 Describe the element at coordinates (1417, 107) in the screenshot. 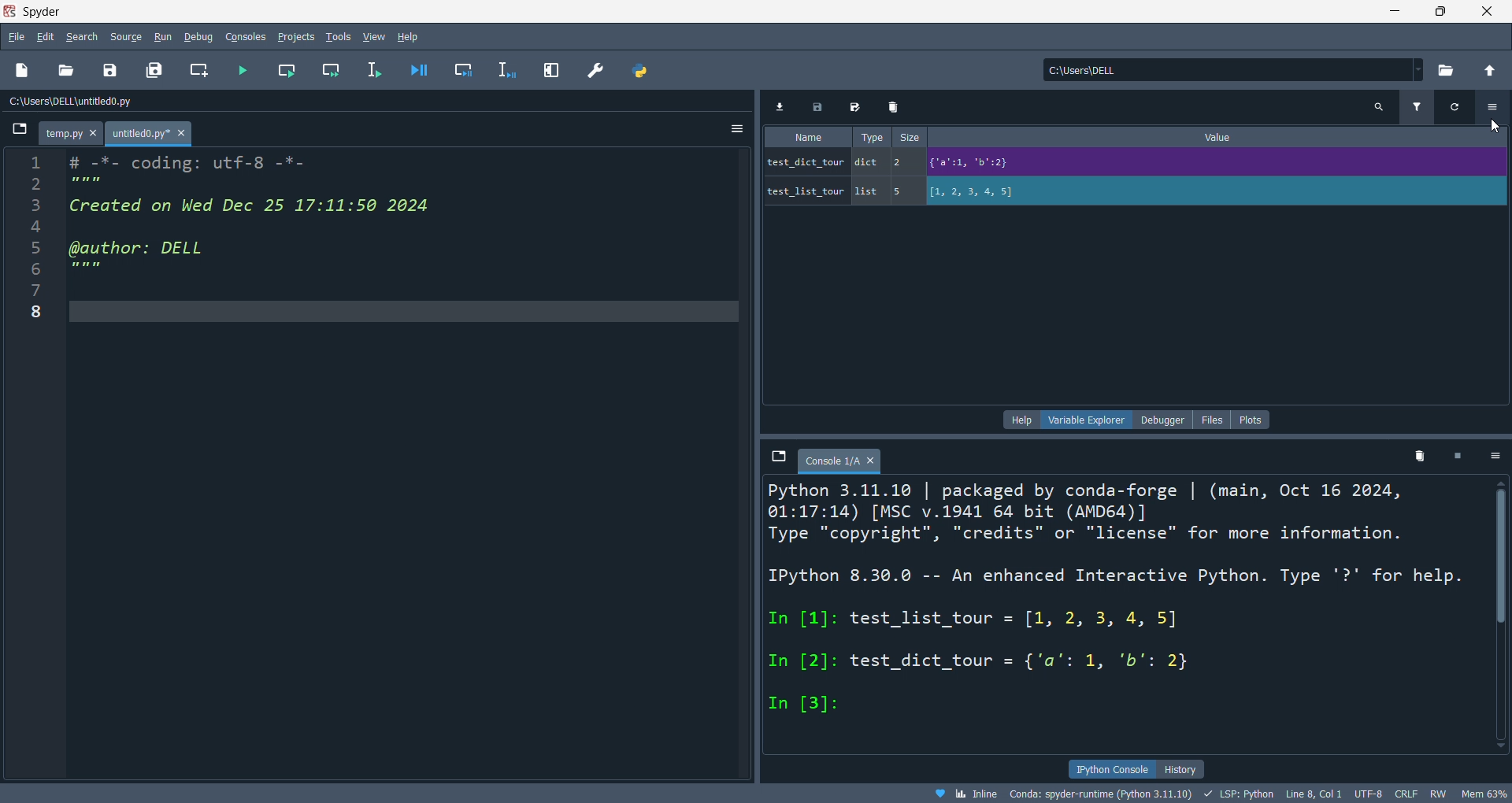

I see `filter` at that location.